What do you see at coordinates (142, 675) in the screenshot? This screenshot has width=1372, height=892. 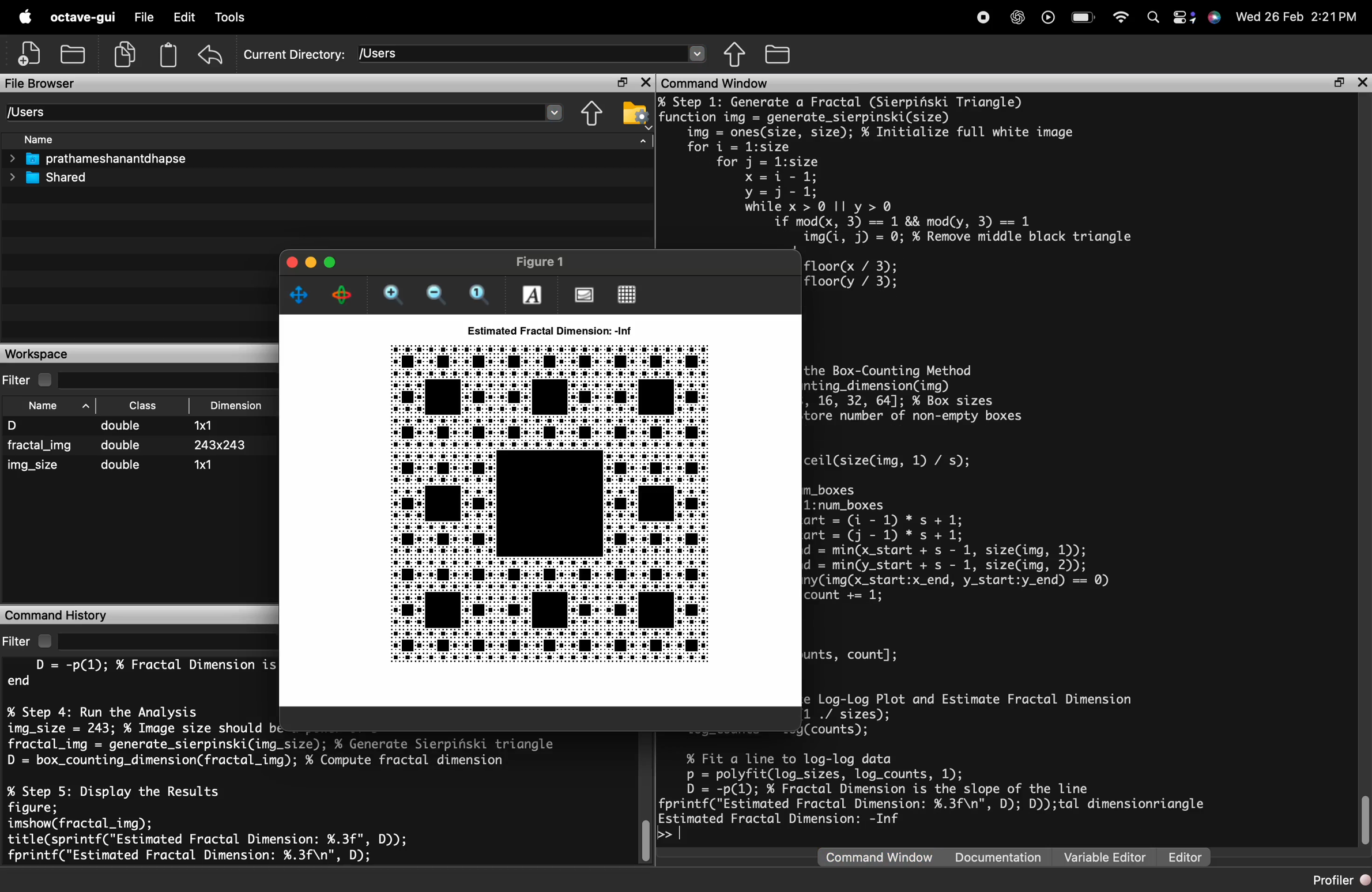 I see `code` at bounding box center [142, 675].